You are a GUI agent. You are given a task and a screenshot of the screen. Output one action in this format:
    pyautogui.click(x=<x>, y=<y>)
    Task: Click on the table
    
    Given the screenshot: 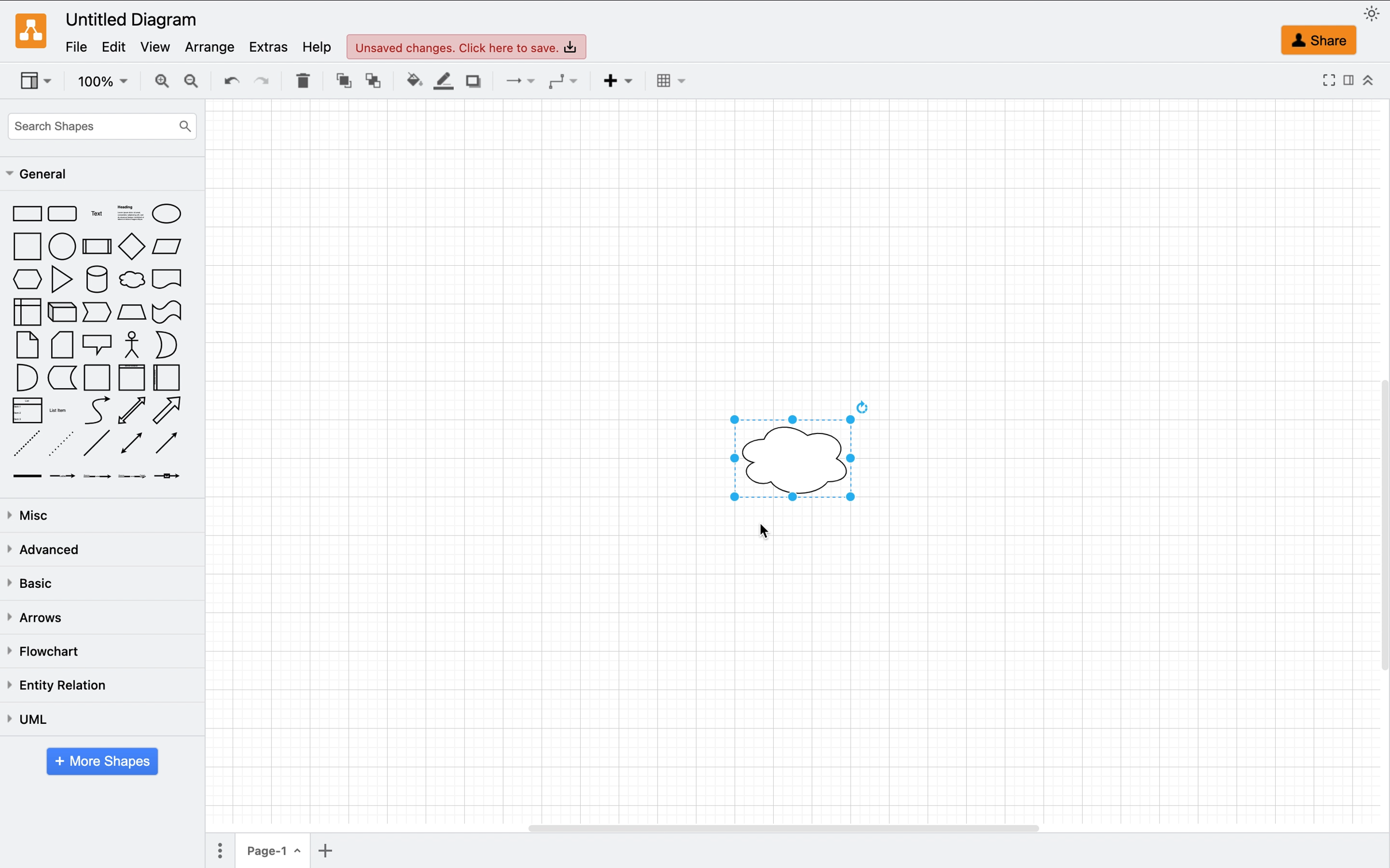 What is the action you would take?
    pyautogui.click(x=669, y=80)
    